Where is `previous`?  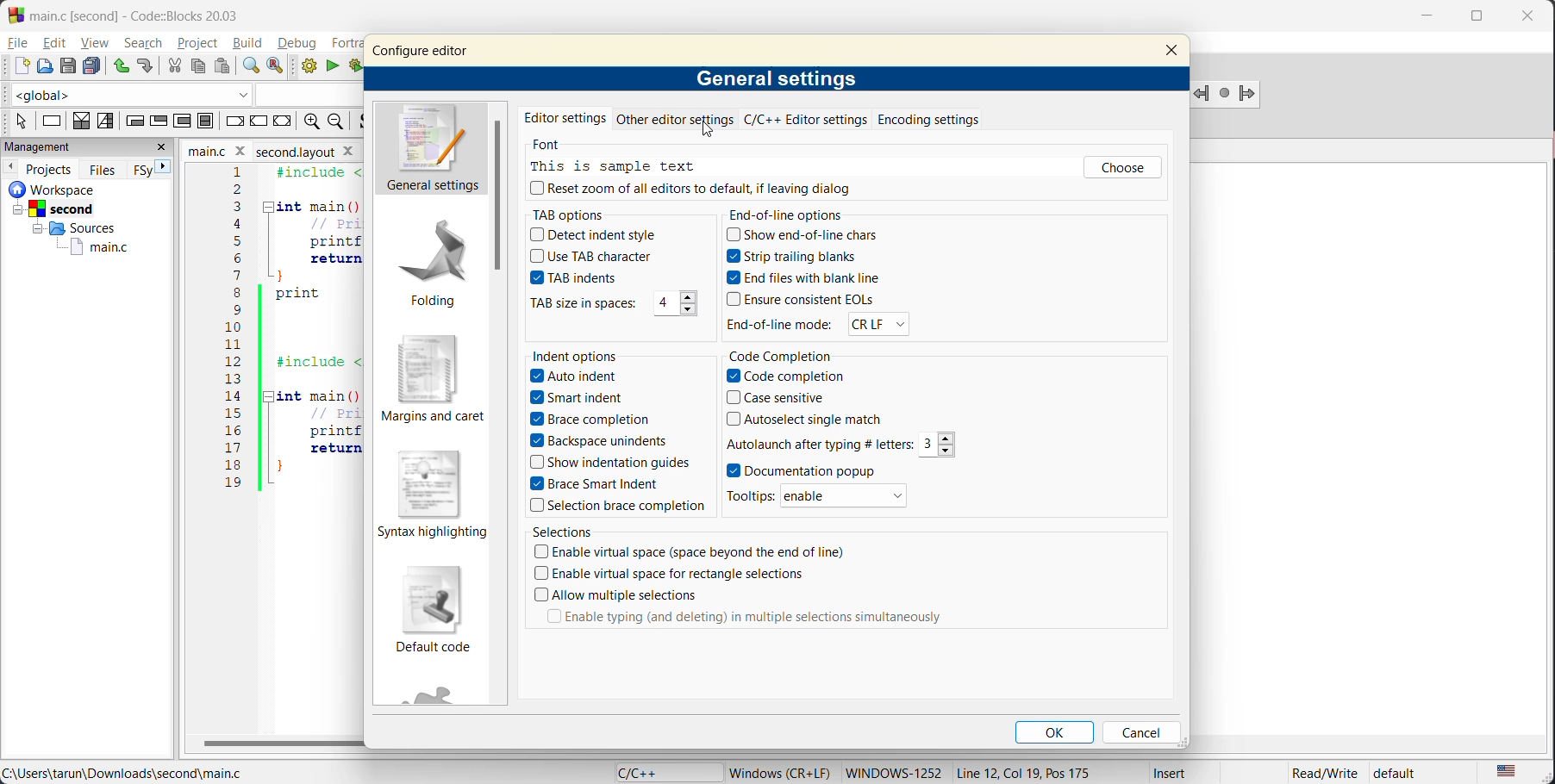
previous is located at coordinates (12, 168).